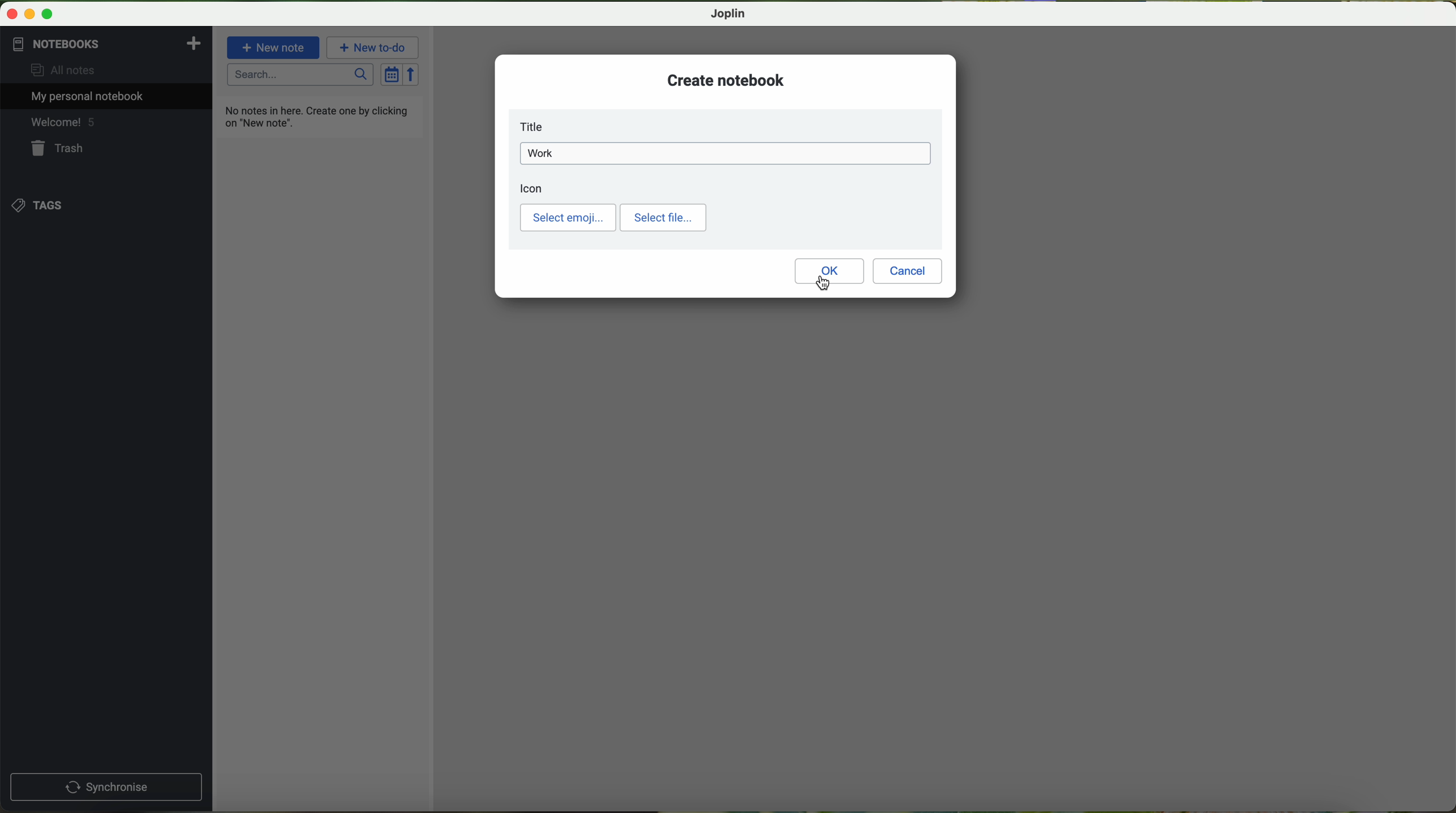 Image resolution: width=1456 pixels, height=813 pixels. Describe the element at coordinates (415, 76) in the screenshot. I see `` at that location.